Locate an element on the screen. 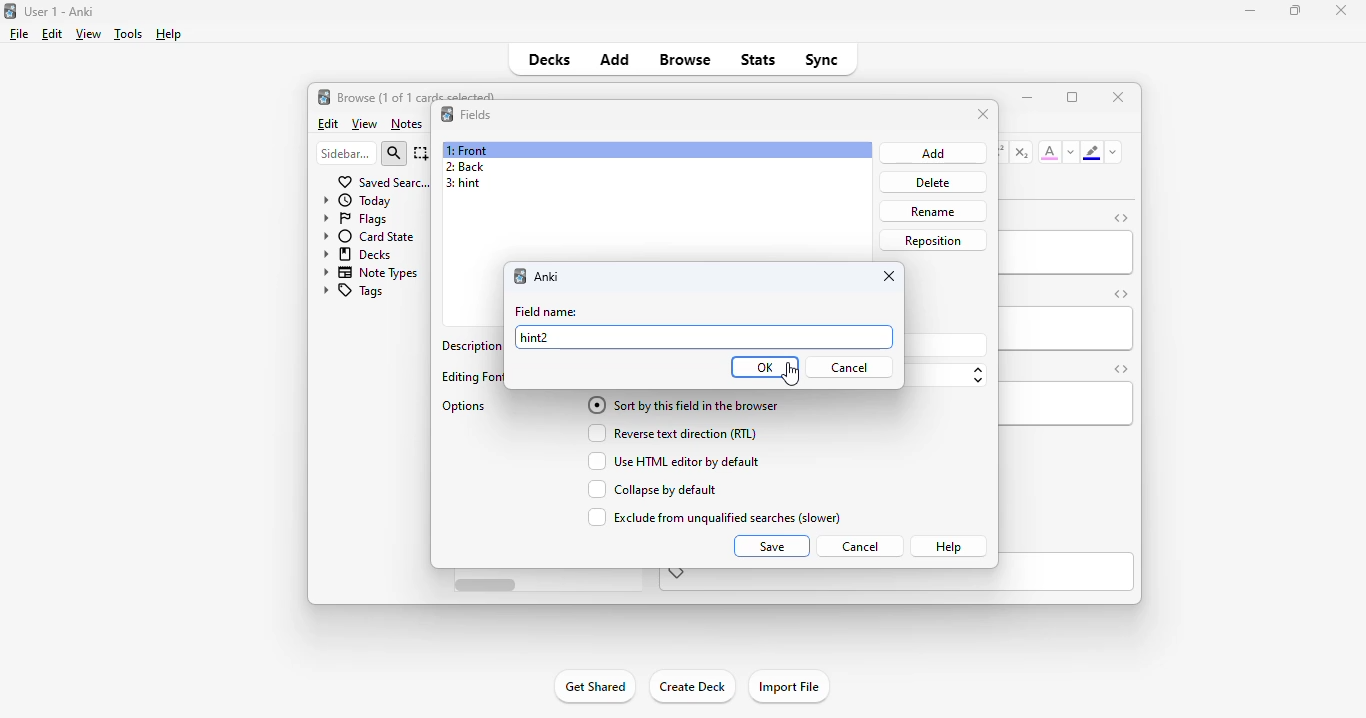 This screenshot has height=718, width=1366. field name is located at coordinates (546, 311).